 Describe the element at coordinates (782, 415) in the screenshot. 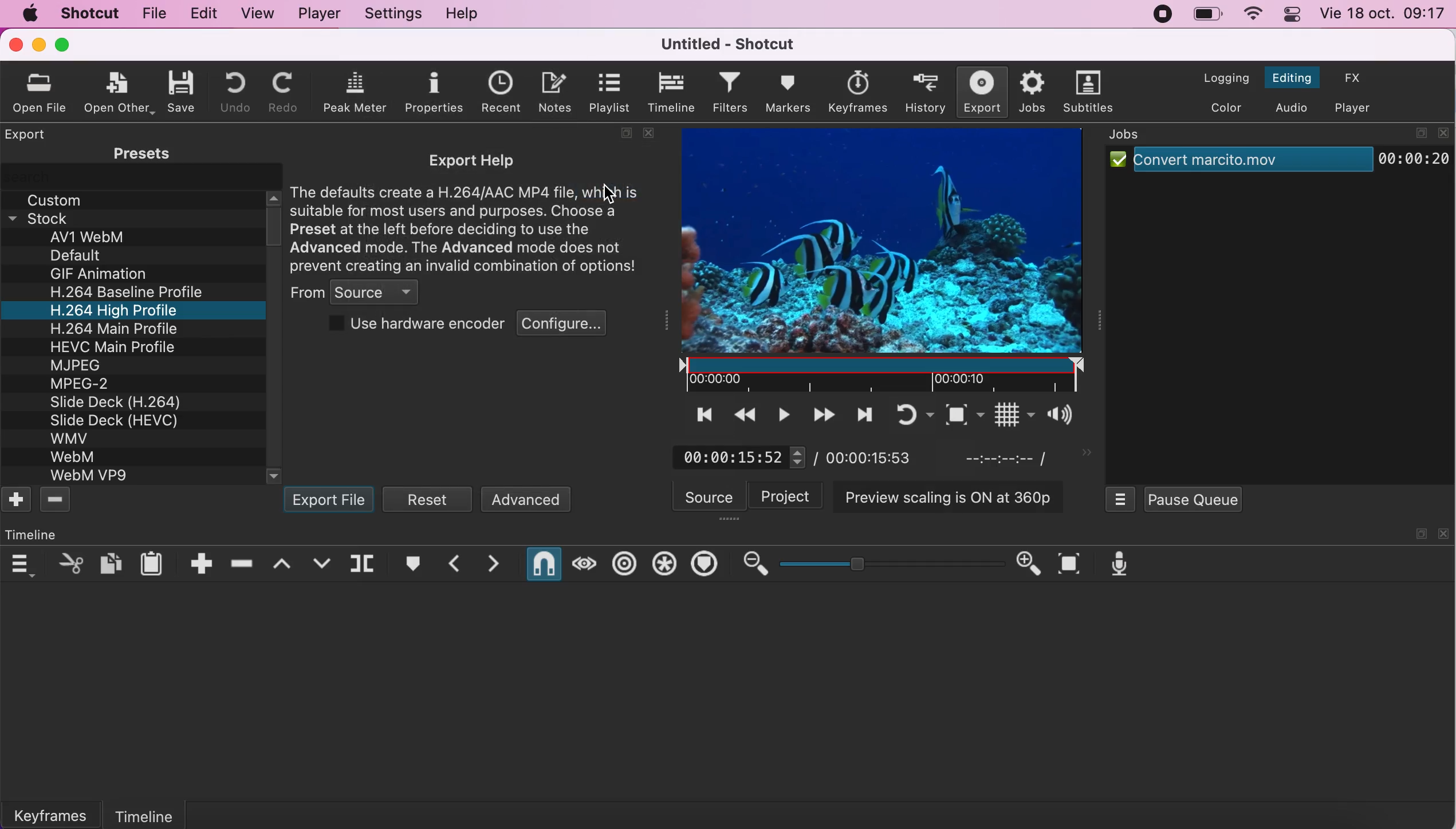

I see `toggle play or pause` at that location.